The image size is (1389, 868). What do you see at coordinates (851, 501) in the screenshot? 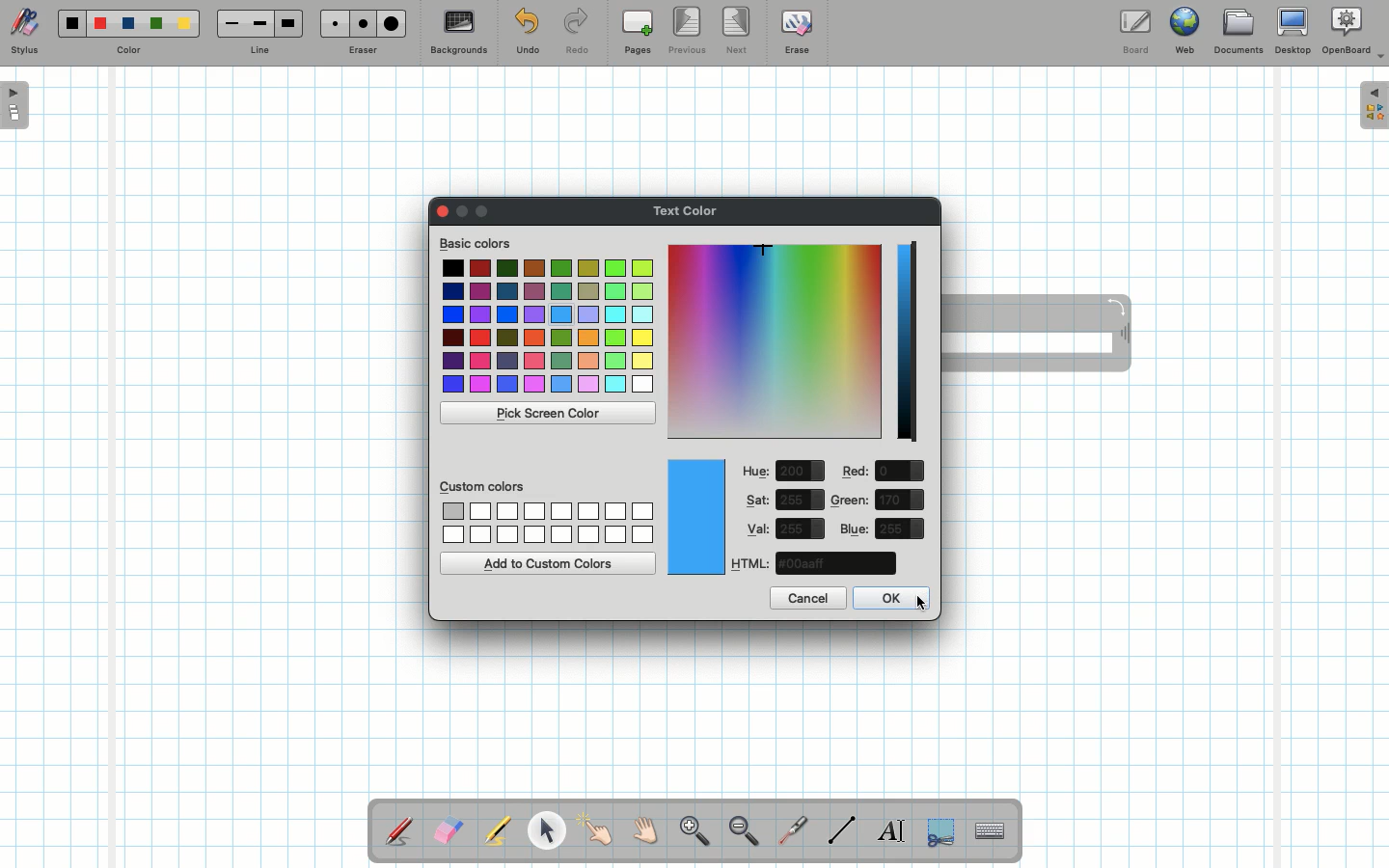
I see `Green` at bounding box center [851, 501].